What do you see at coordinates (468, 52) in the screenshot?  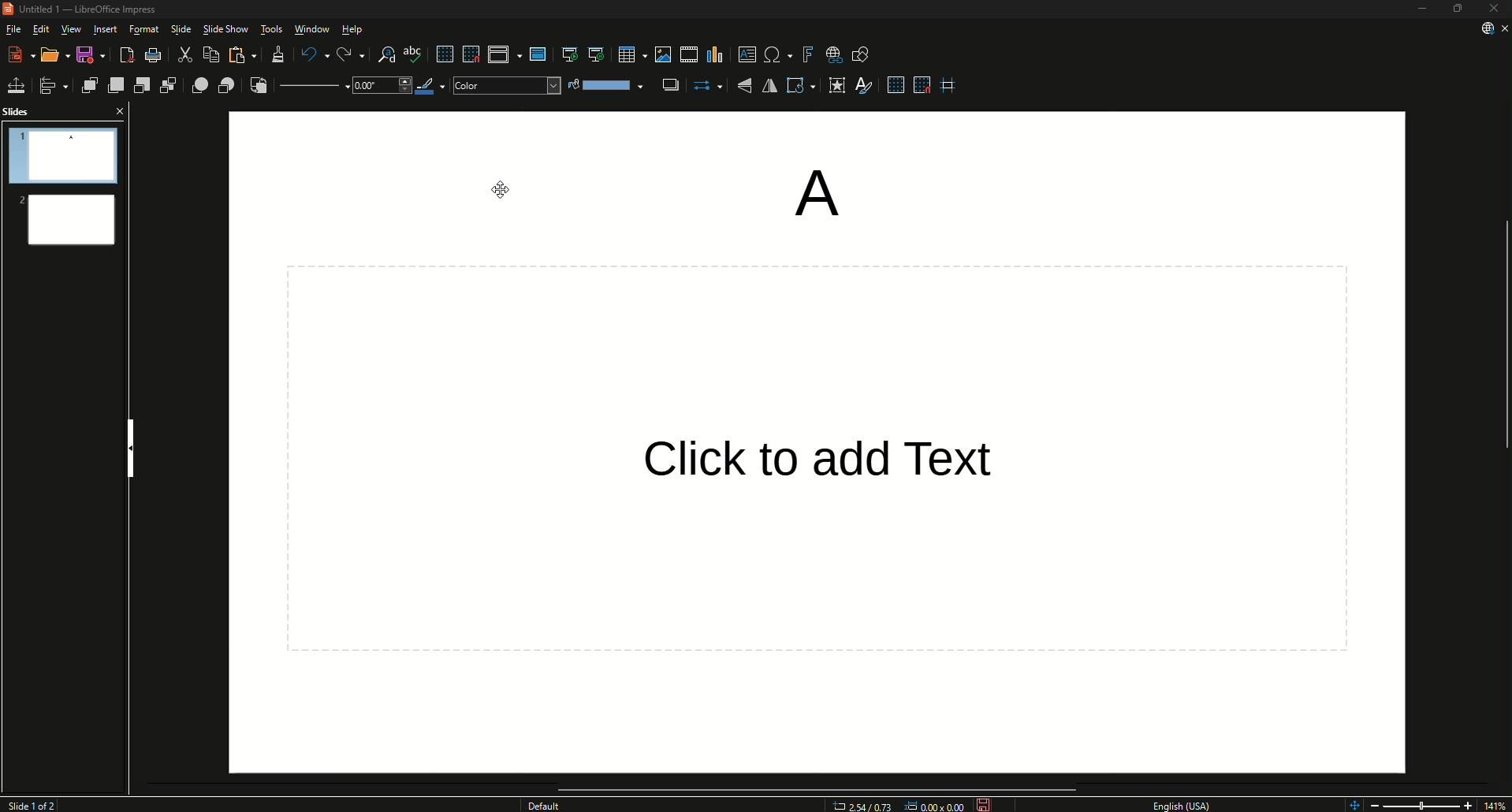 I see `Snap to Grid` at bounding box center [468, 52].